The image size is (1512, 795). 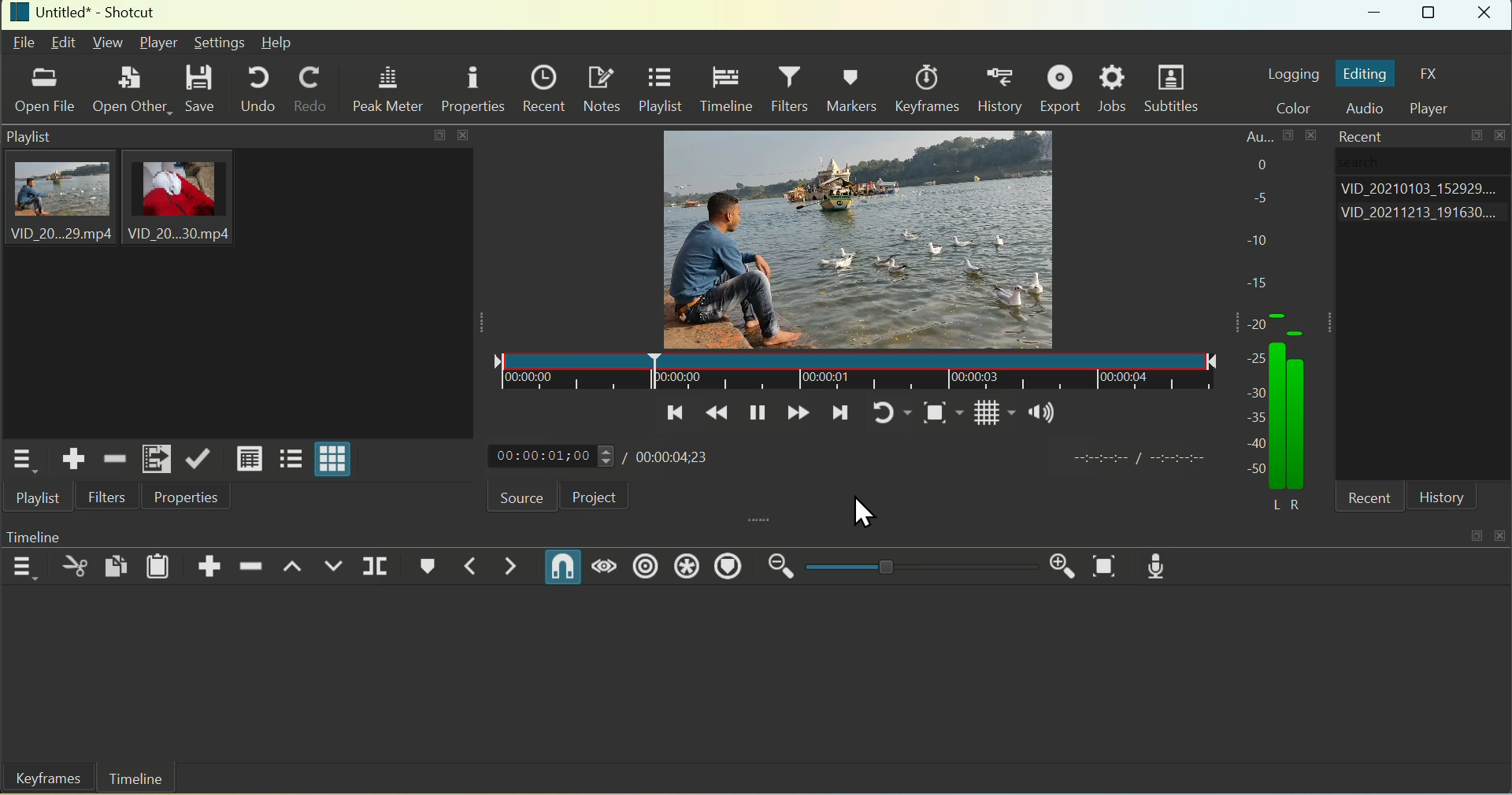 I want to click on Edit, so click(x=65, y=42).